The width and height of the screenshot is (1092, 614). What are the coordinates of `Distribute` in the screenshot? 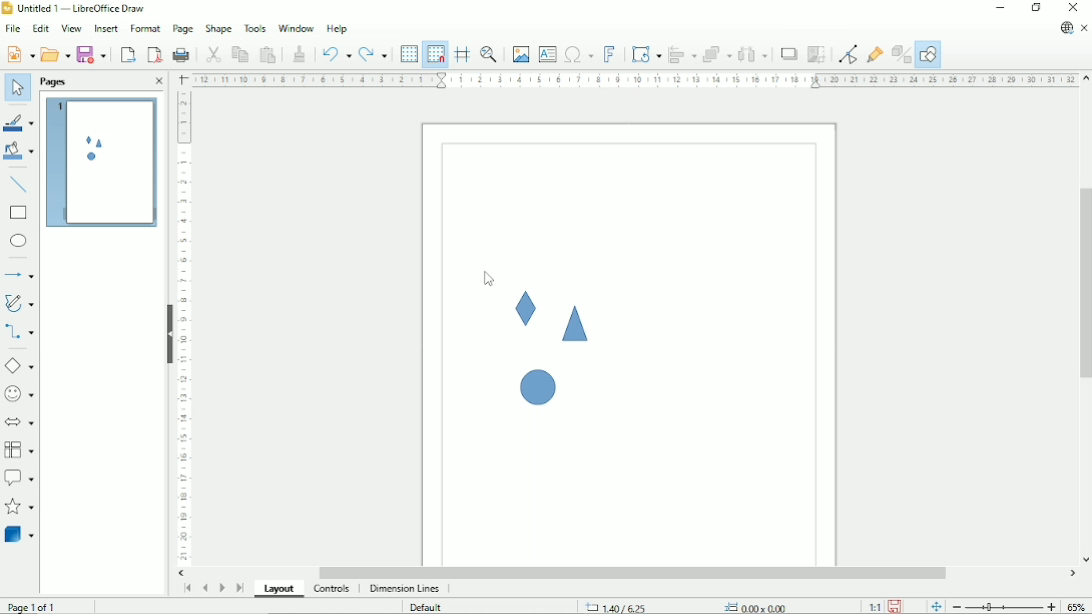 It's located at (753, 54).